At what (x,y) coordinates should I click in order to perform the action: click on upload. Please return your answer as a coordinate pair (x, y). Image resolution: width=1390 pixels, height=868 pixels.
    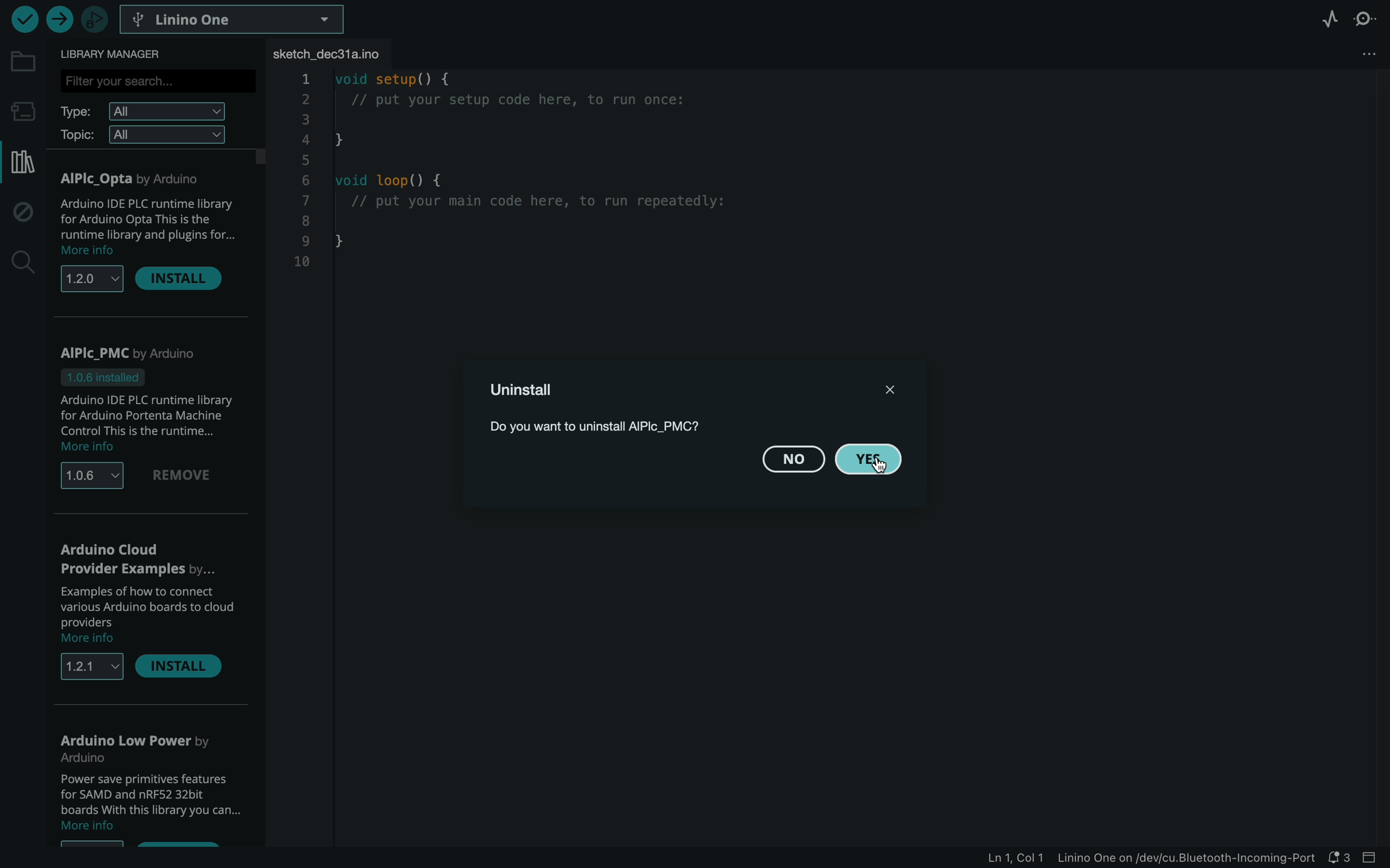
    Looking at the image, I should click on (60, 19).